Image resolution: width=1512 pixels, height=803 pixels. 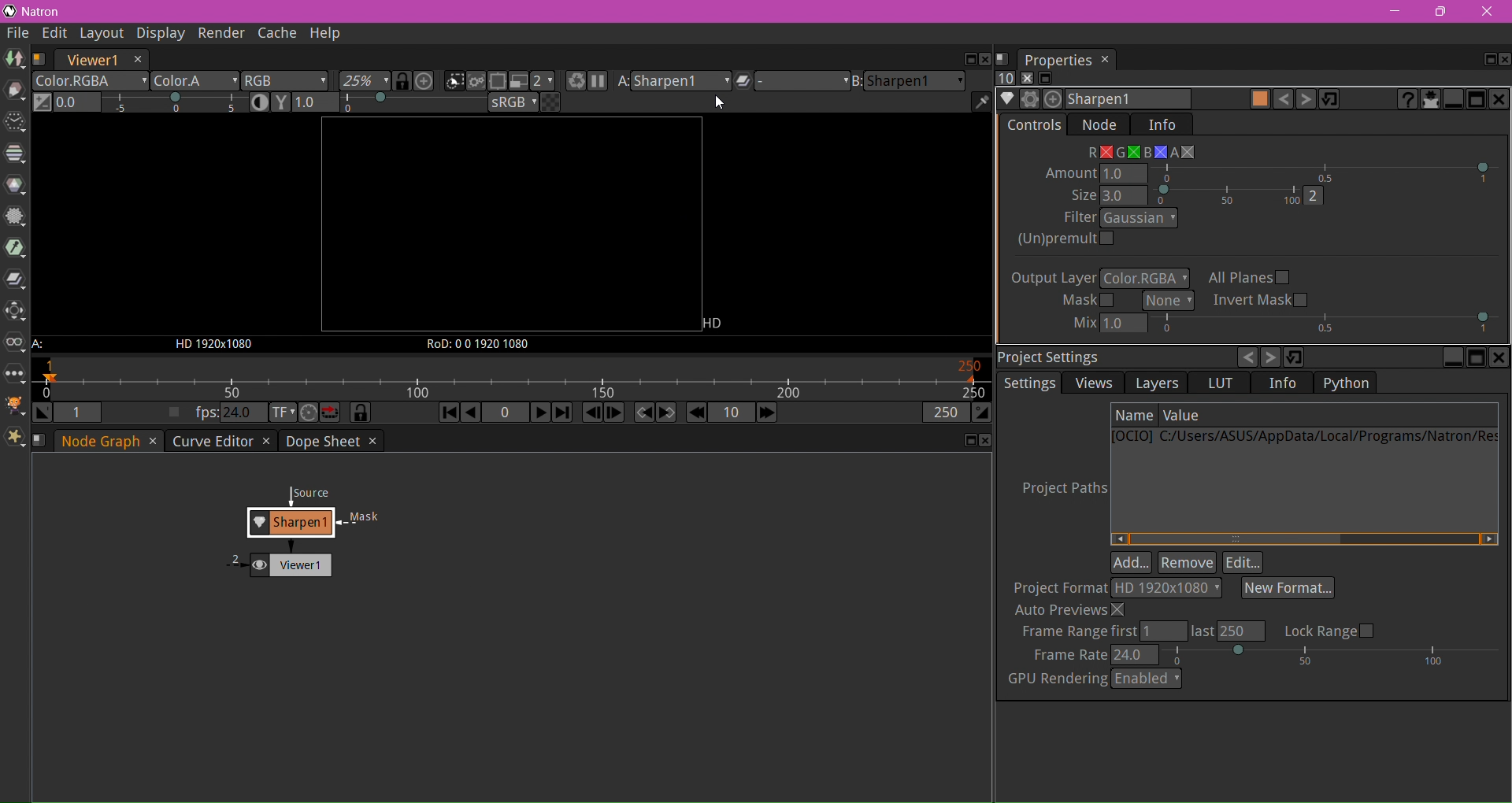 I want to click on Scroll, so click(x=1303, y=538).